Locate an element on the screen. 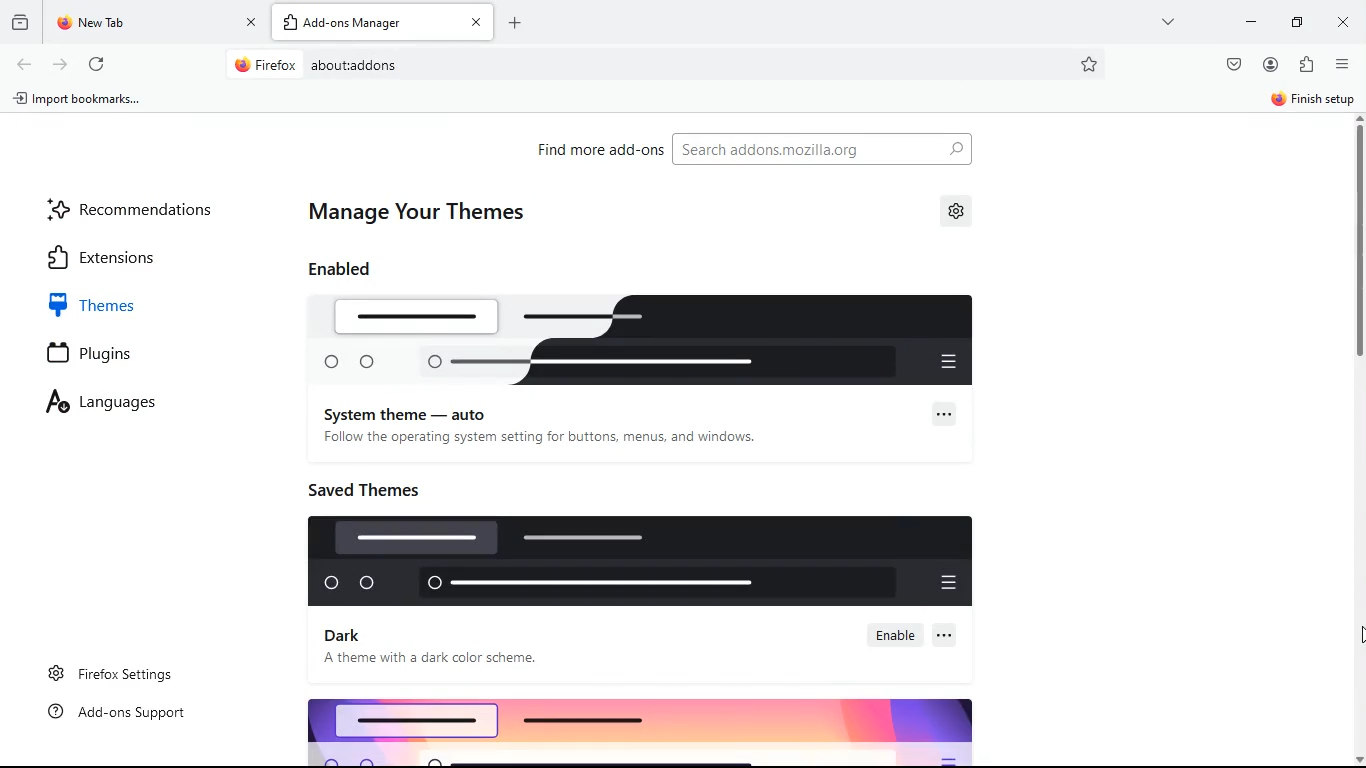 This screenshot has height=768, width=1366. search is located at coordinates (824, 150).